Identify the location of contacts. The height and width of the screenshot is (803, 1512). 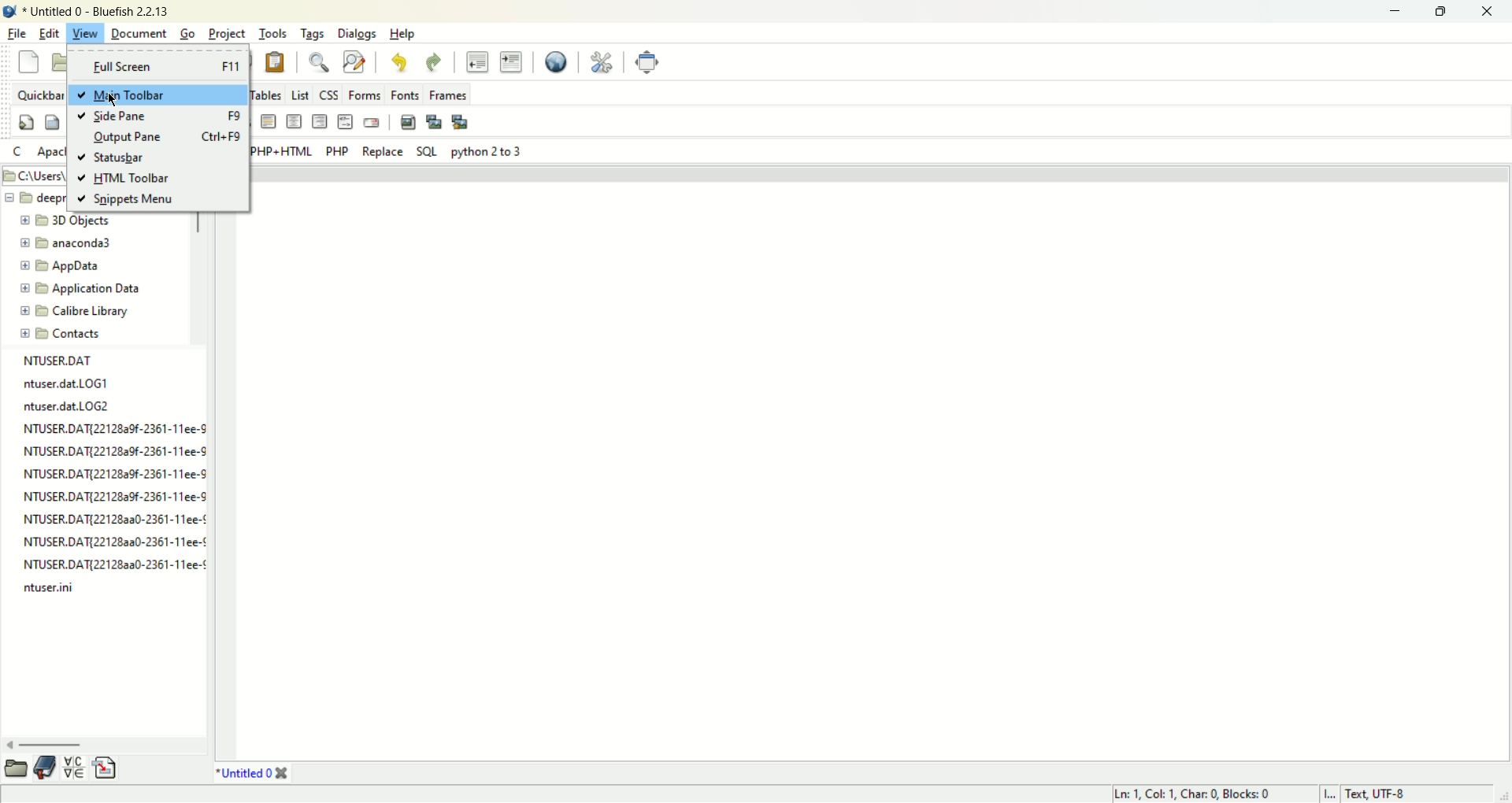
(61, 335).